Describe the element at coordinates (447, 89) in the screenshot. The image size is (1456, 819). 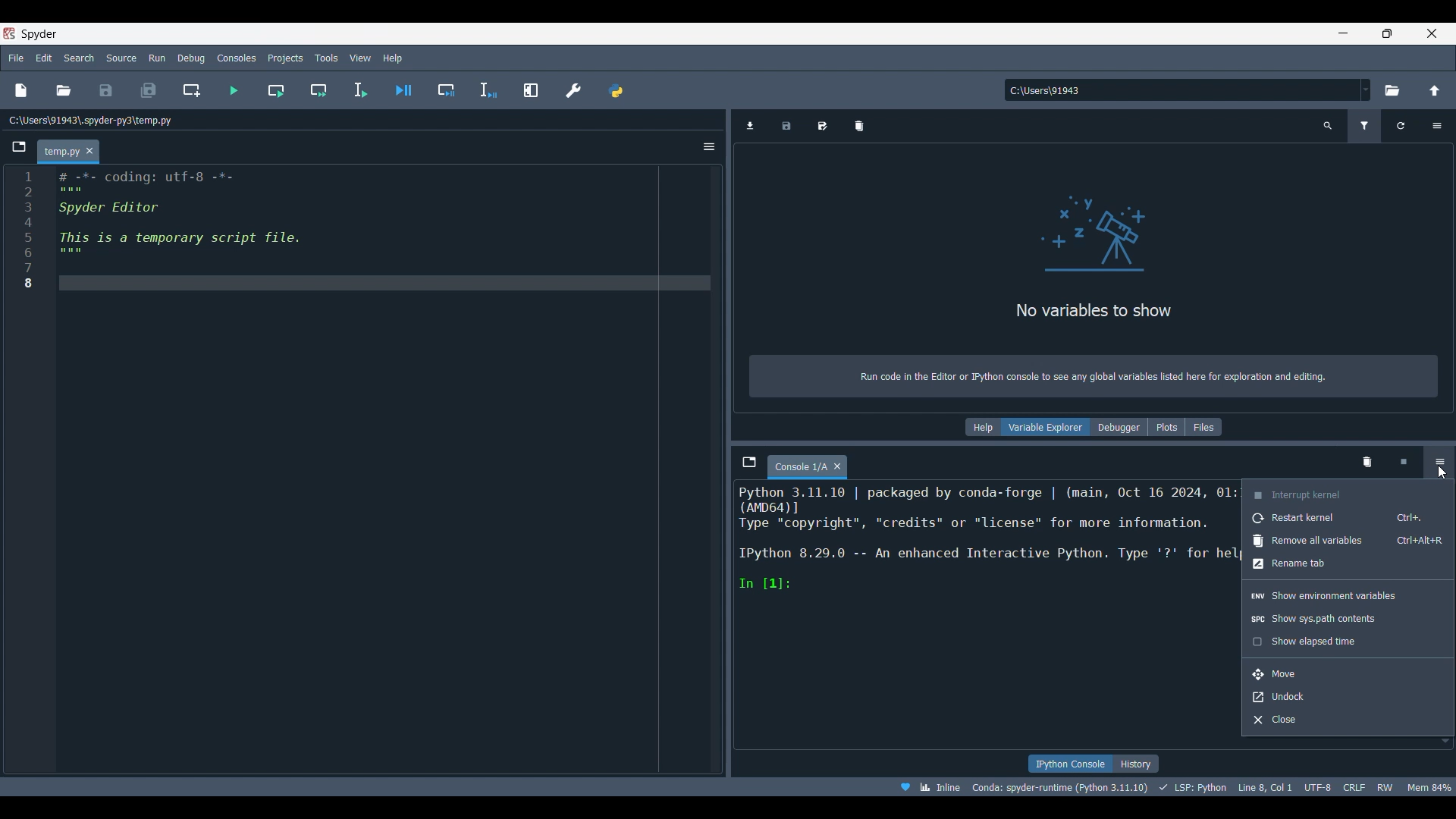
I see `Debug cell` at that location.